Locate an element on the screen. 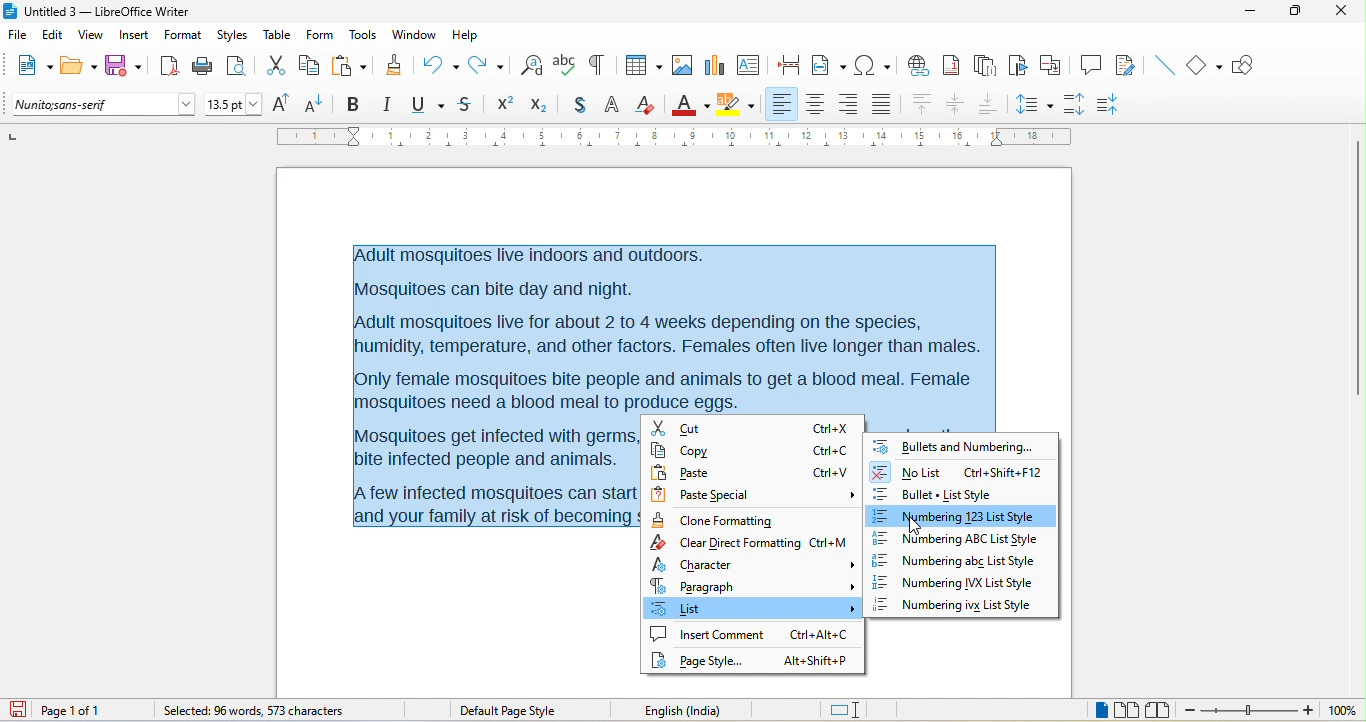  italic is located at coordinates (391, 105).